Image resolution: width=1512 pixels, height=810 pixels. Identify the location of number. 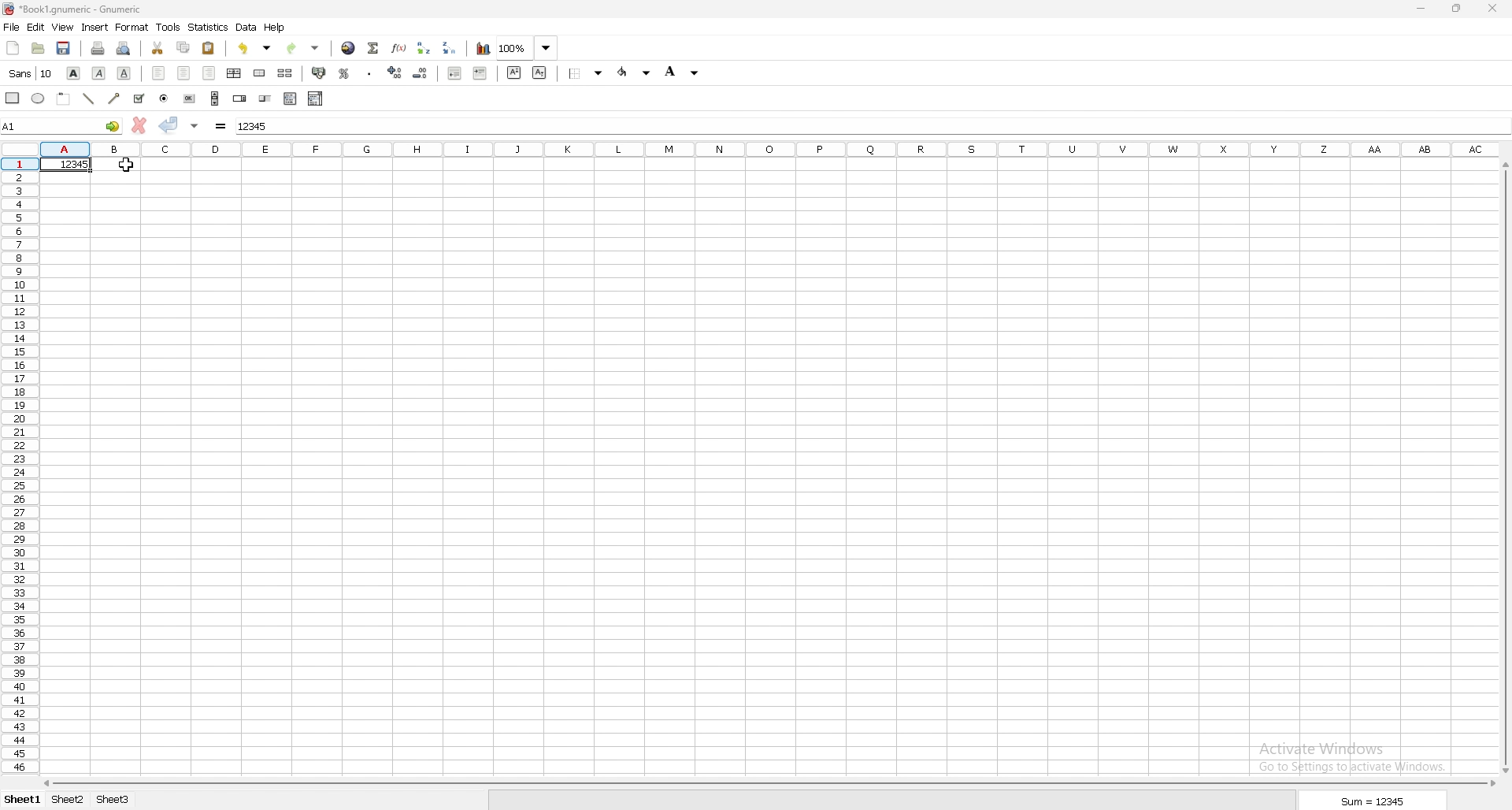
(66, 164).